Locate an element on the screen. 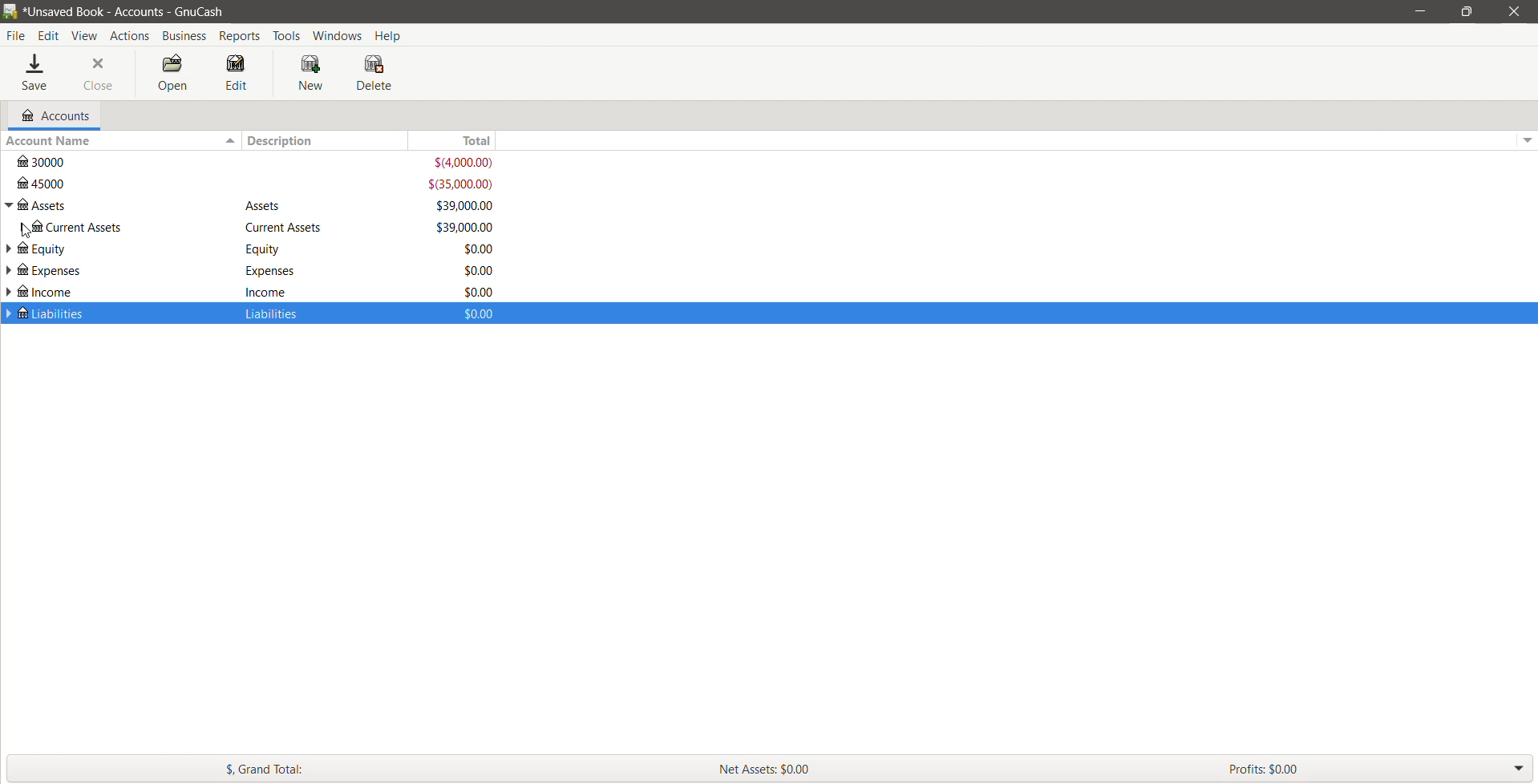 The image size is (1538, 784). Tools is located at coordinates (288, 35).